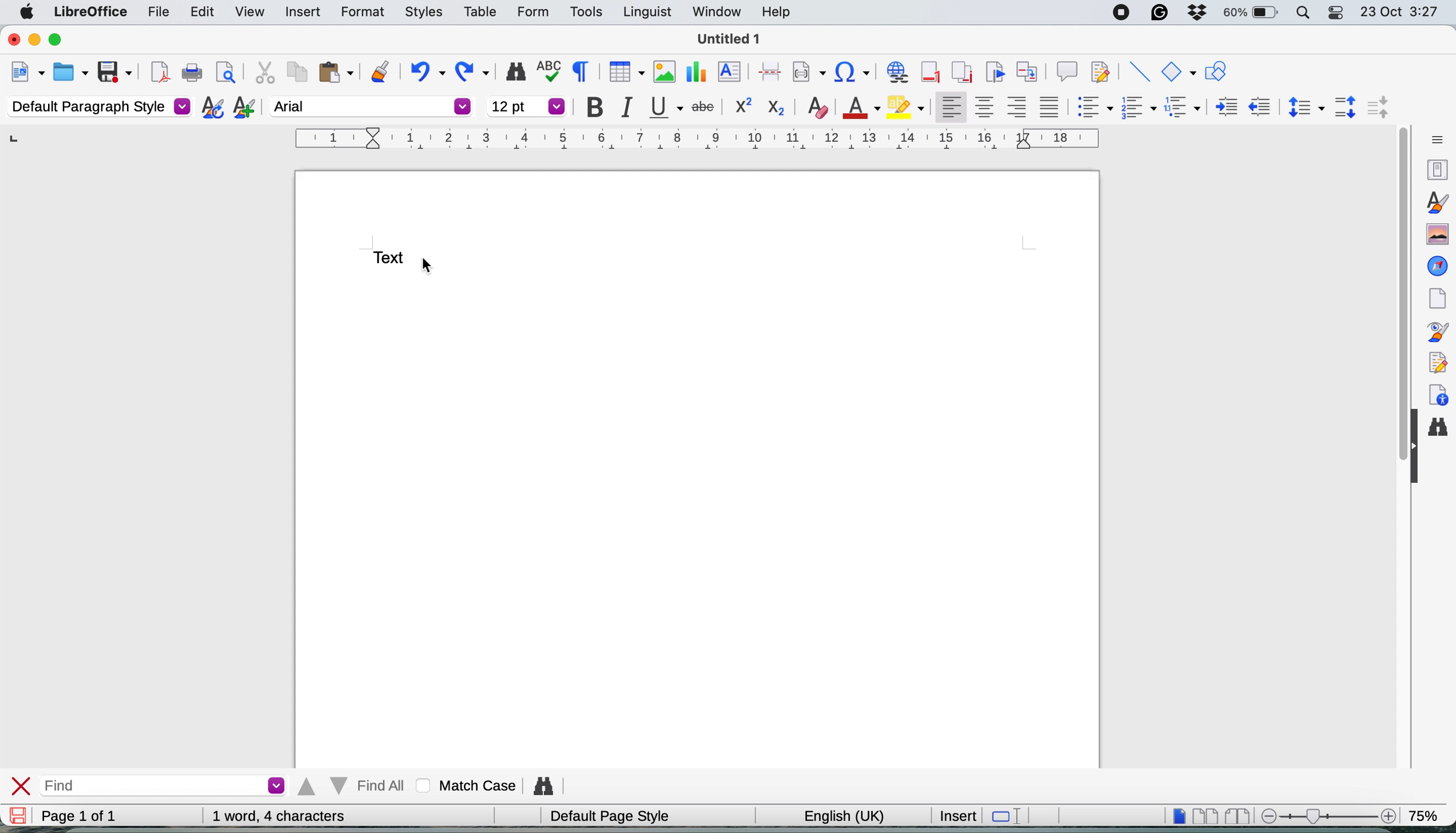  What do you see at coordinates (948, 108) in the screenshot?
I see `align left` at bounding box center [948, 108].